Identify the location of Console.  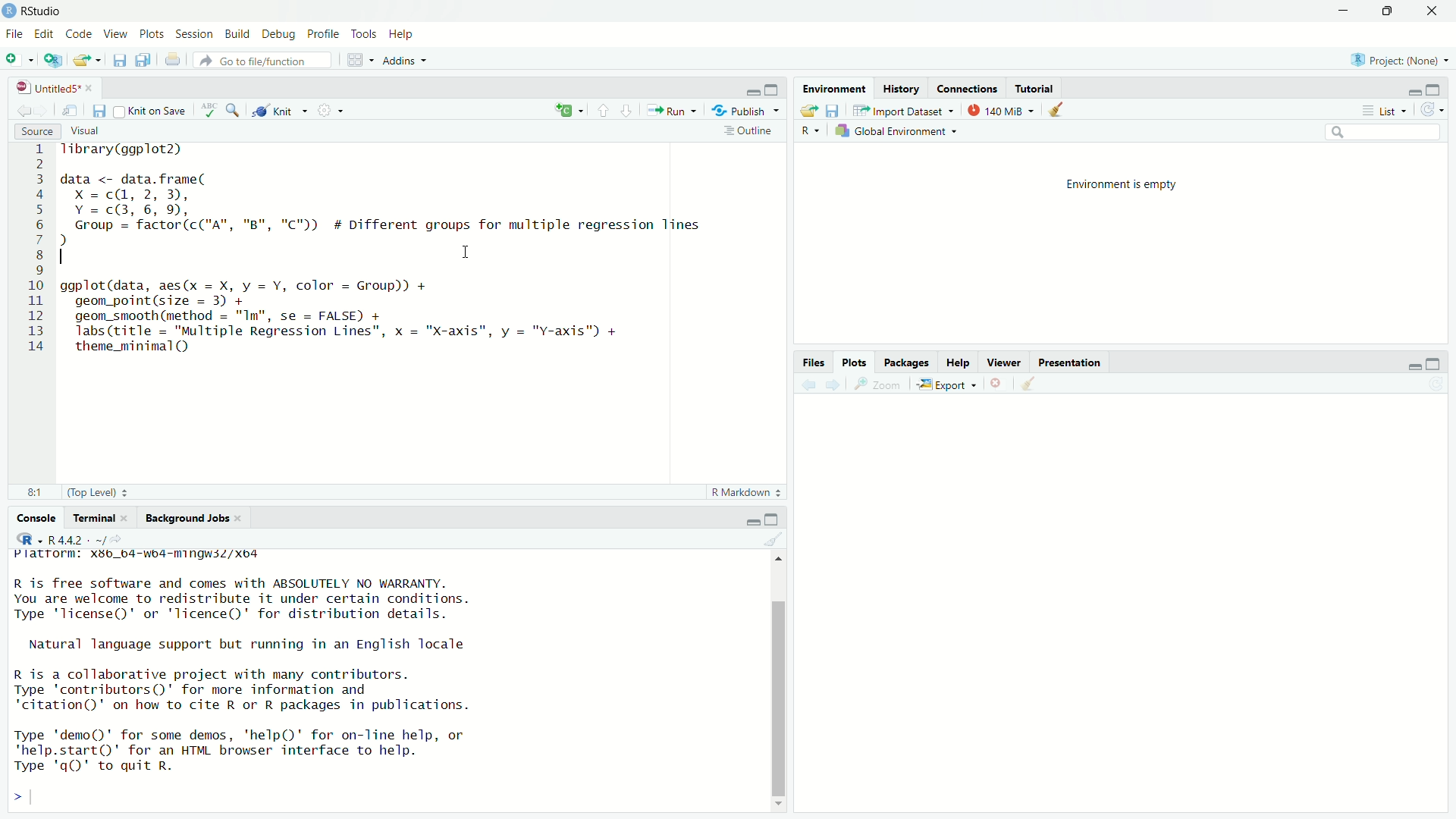
(27, 518).